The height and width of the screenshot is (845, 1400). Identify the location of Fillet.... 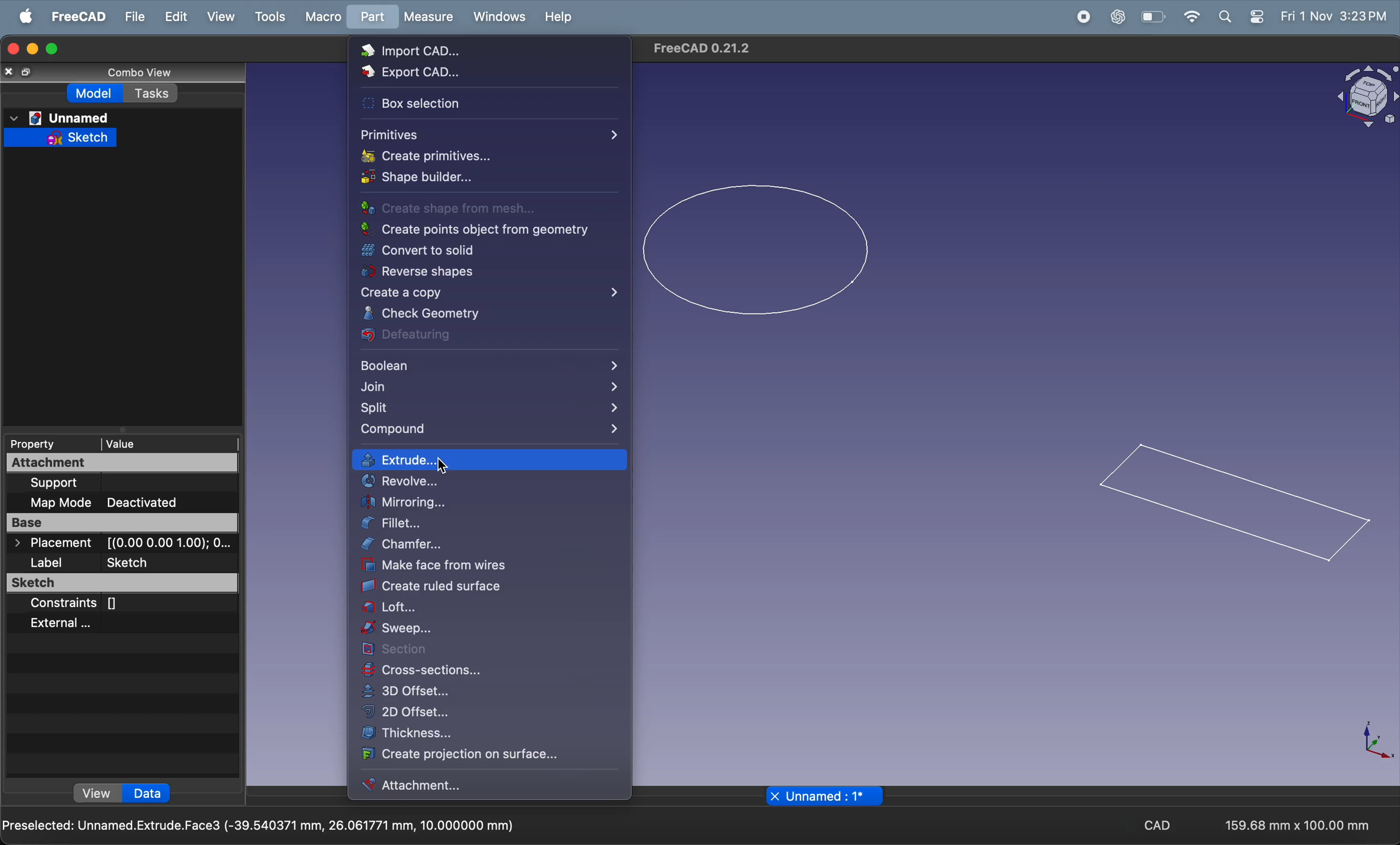
(479, 525).